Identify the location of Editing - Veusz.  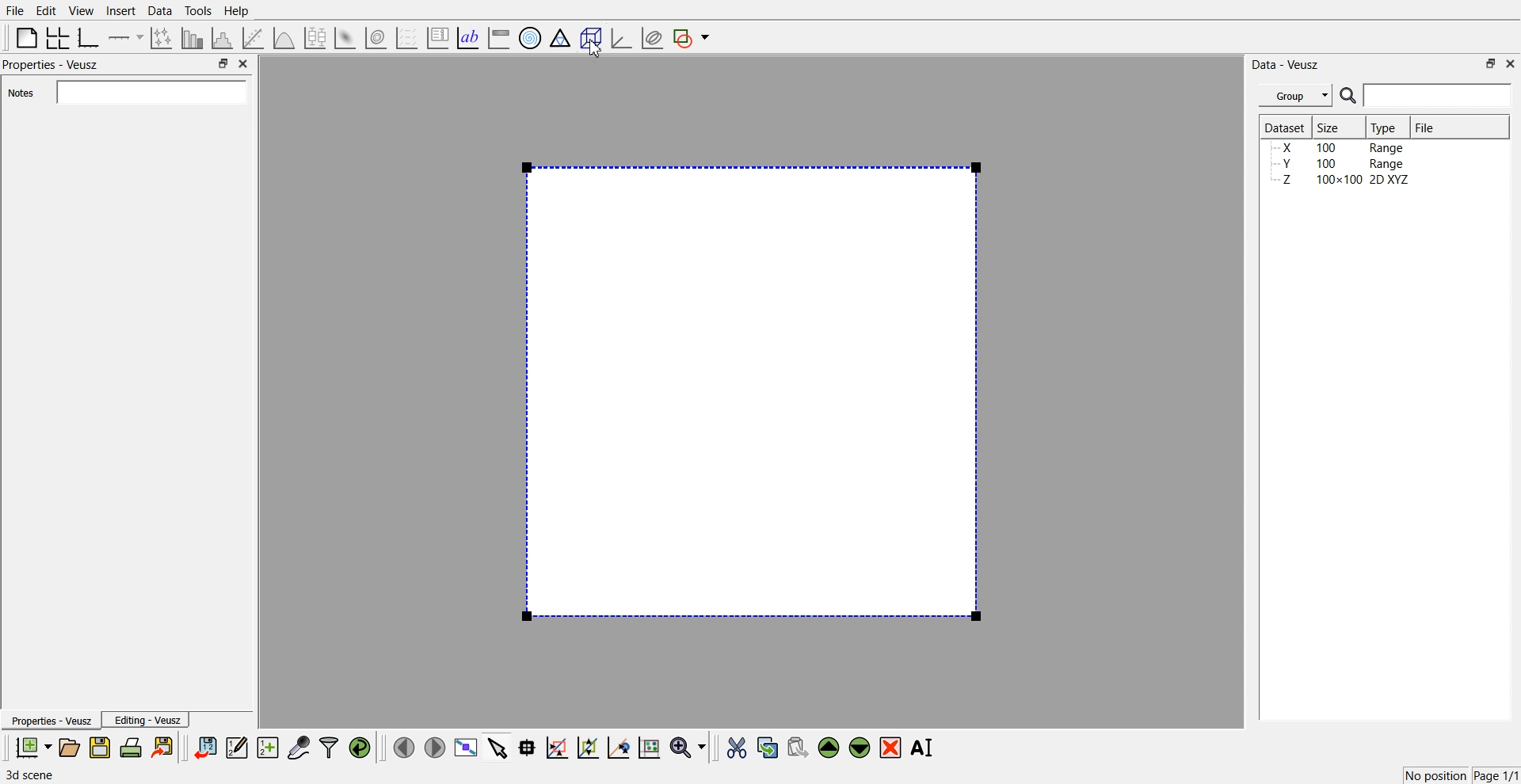
(146, 719).